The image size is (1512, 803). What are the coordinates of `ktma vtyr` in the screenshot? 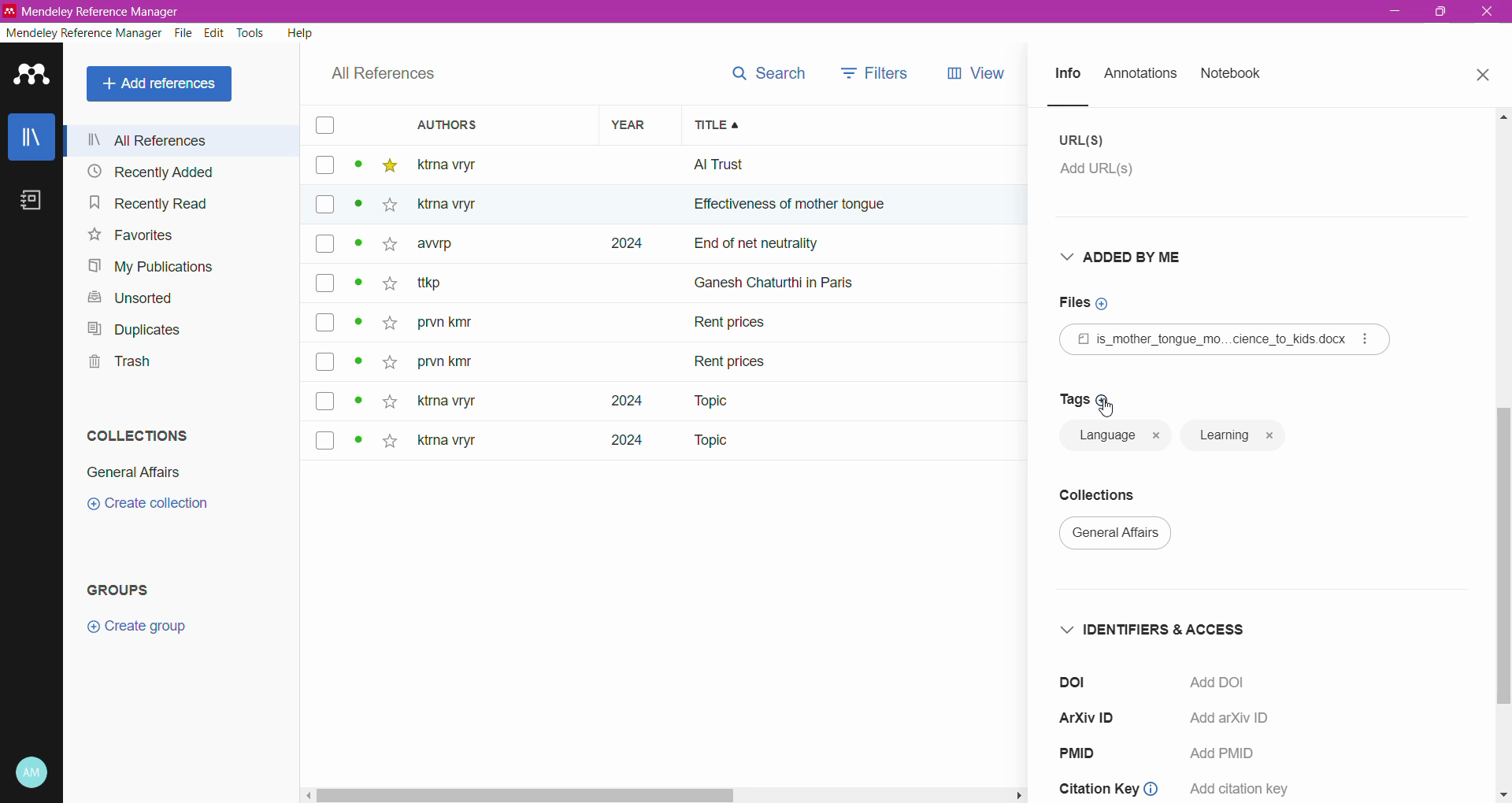 It's located at (458, 164).